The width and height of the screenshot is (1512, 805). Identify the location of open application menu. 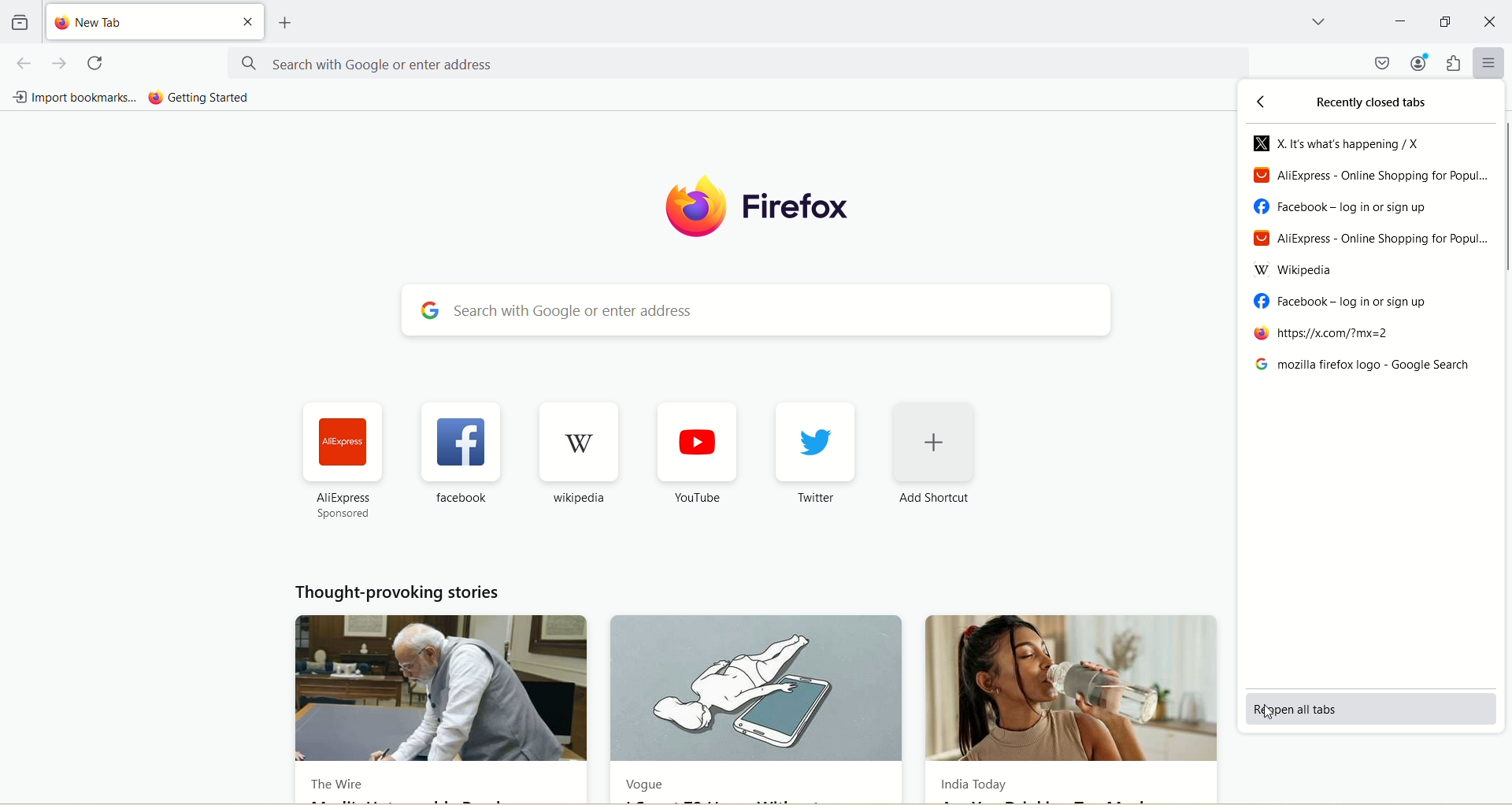
(1488, 62).